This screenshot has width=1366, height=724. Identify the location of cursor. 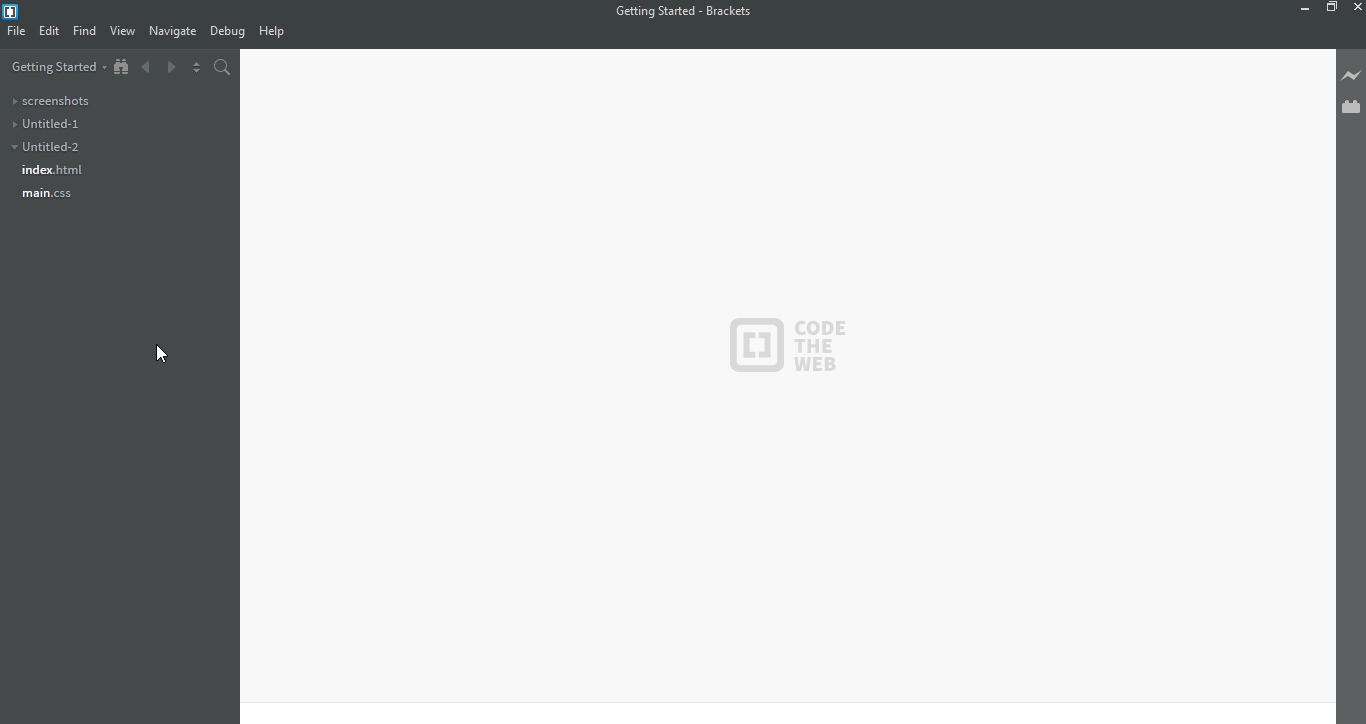
(161, 354).